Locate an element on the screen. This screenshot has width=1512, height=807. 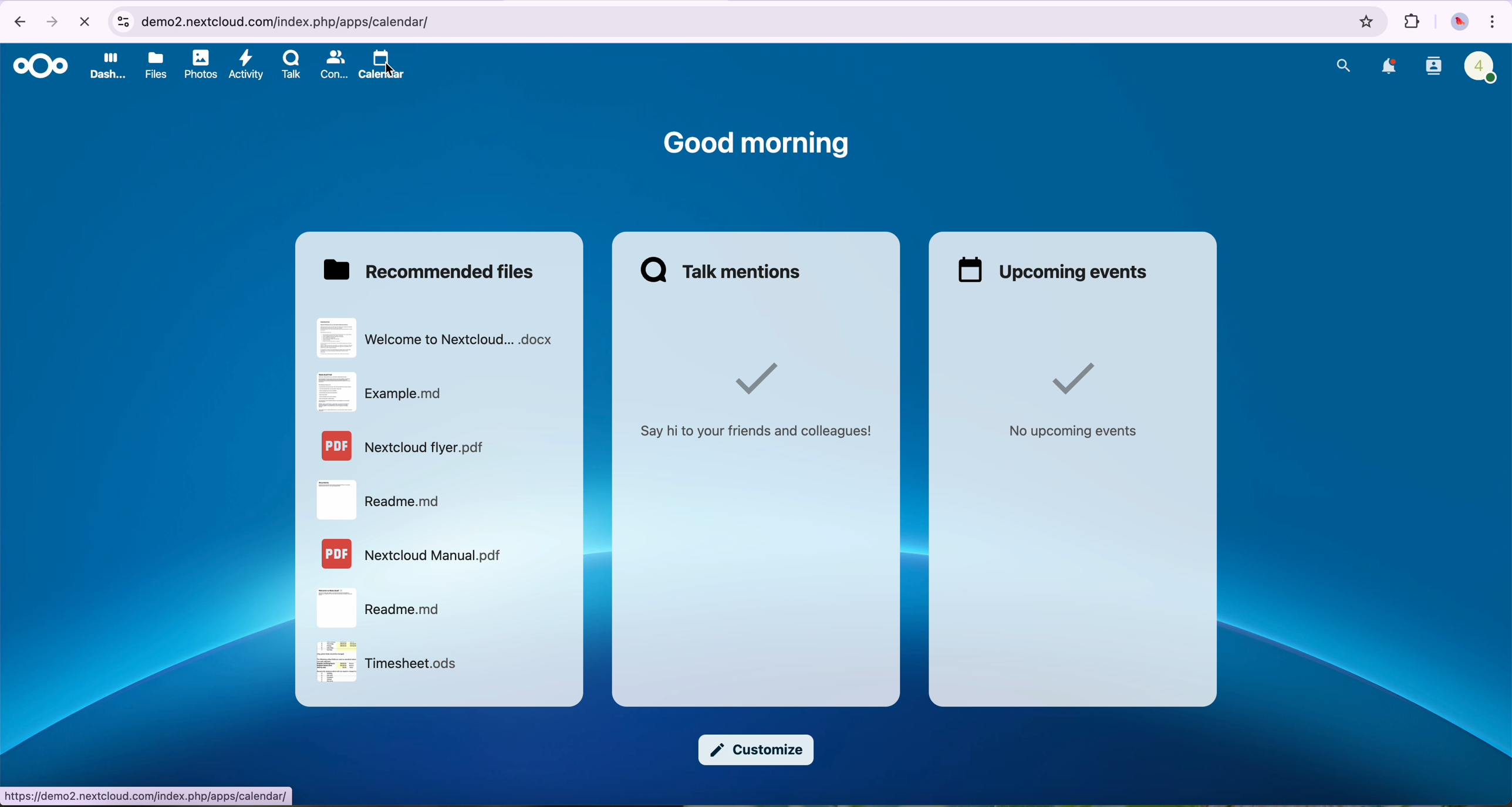
profile picture is located at coordinates (1457, 23).